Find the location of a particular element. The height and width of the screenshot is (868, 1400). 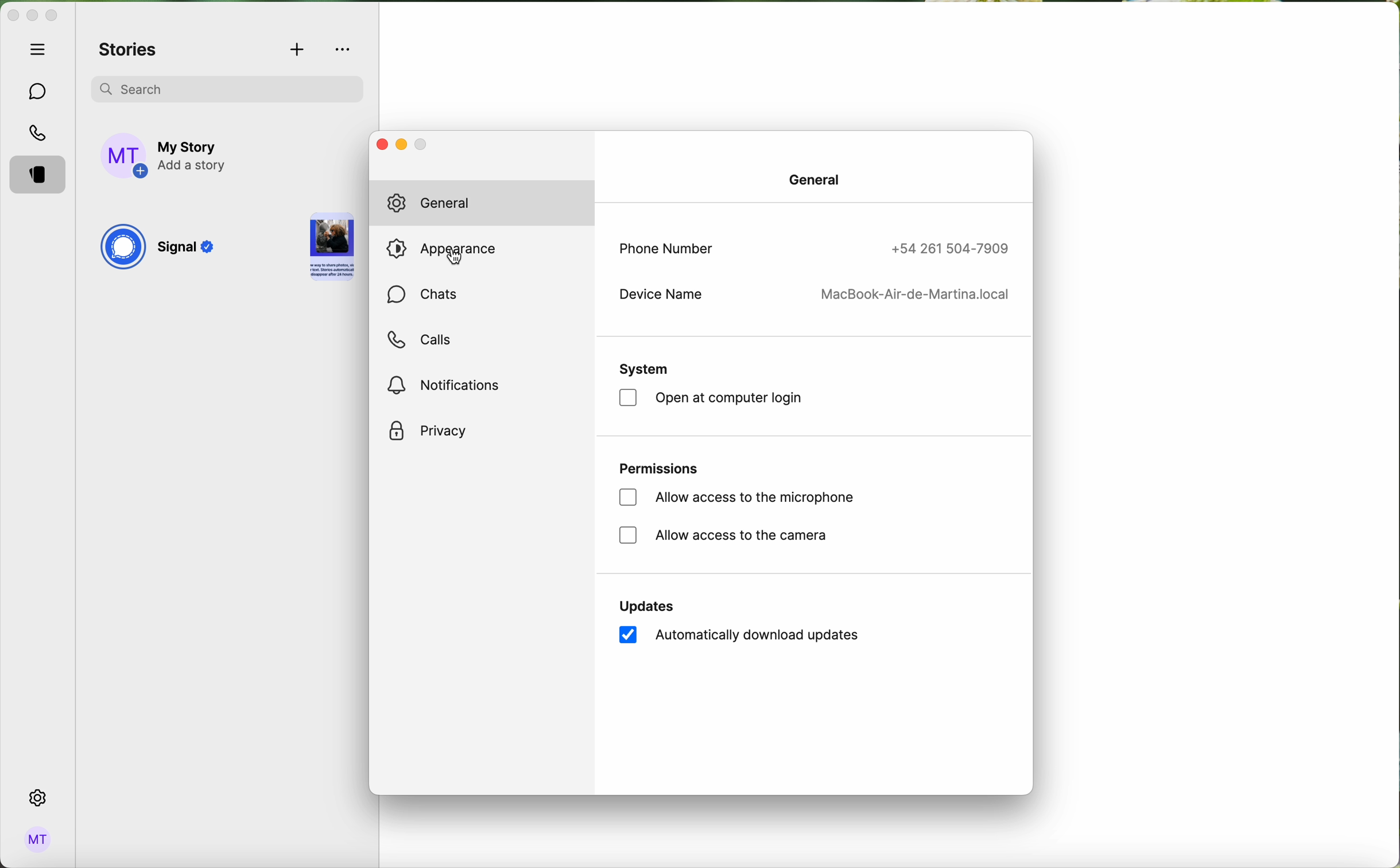

Signal is located at coordinates (189, 250).